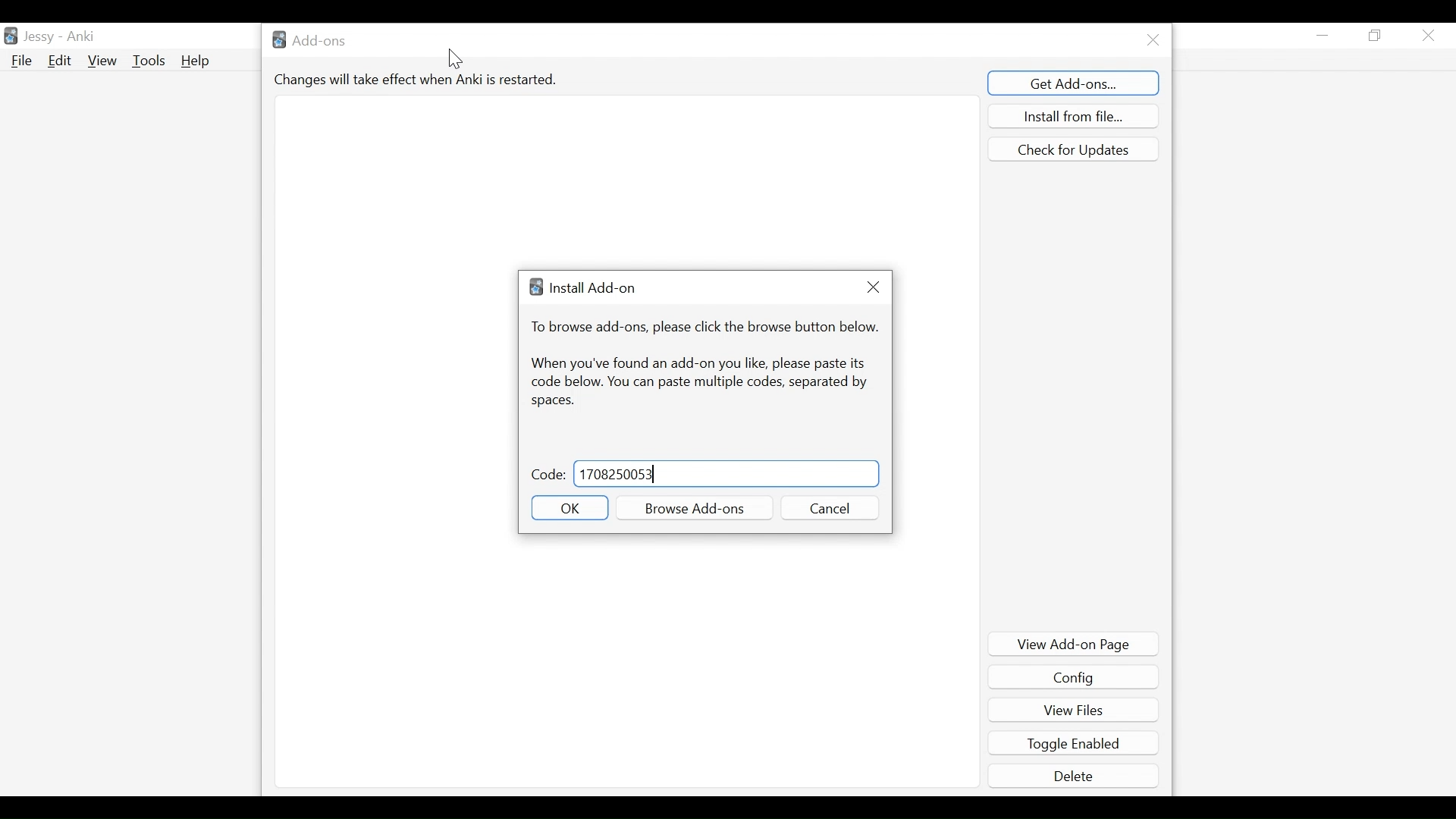  I want to click on Edit, so click(58, 61).